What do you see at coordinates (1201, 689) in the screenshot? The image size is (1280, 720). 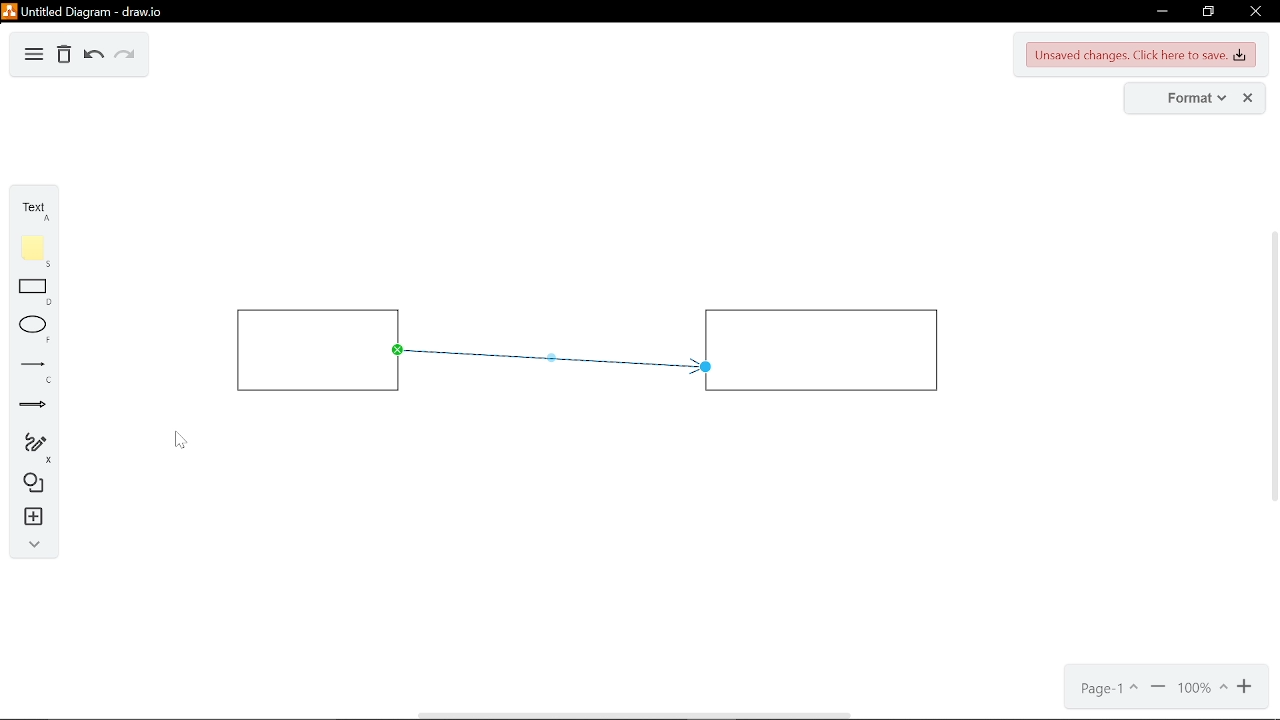 I see `current zoom` at bounding box center [1201, 689].